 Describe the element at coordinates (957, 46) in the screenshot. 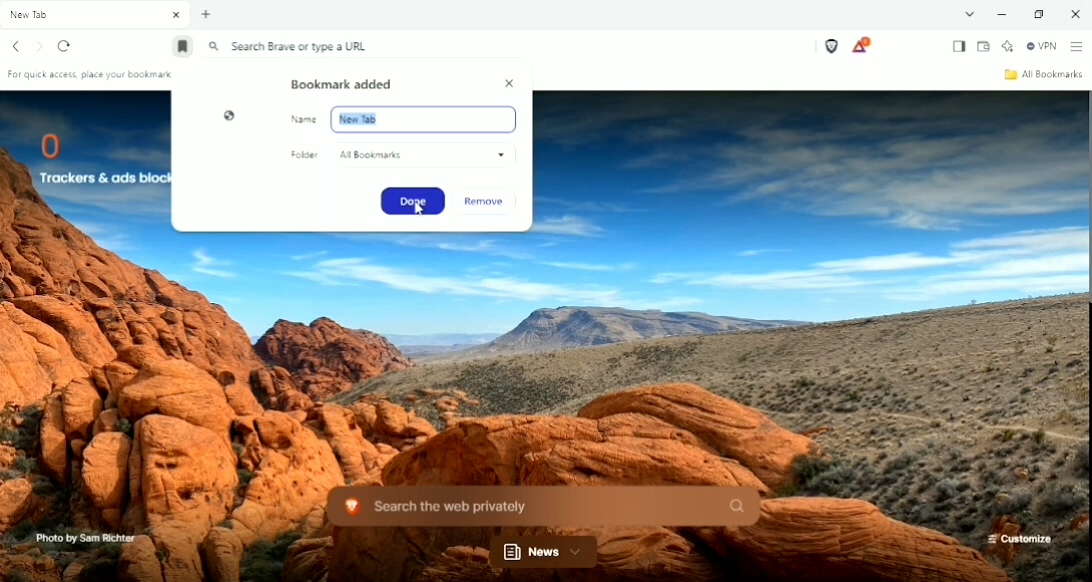

I see `Show Sidebar` at that location.